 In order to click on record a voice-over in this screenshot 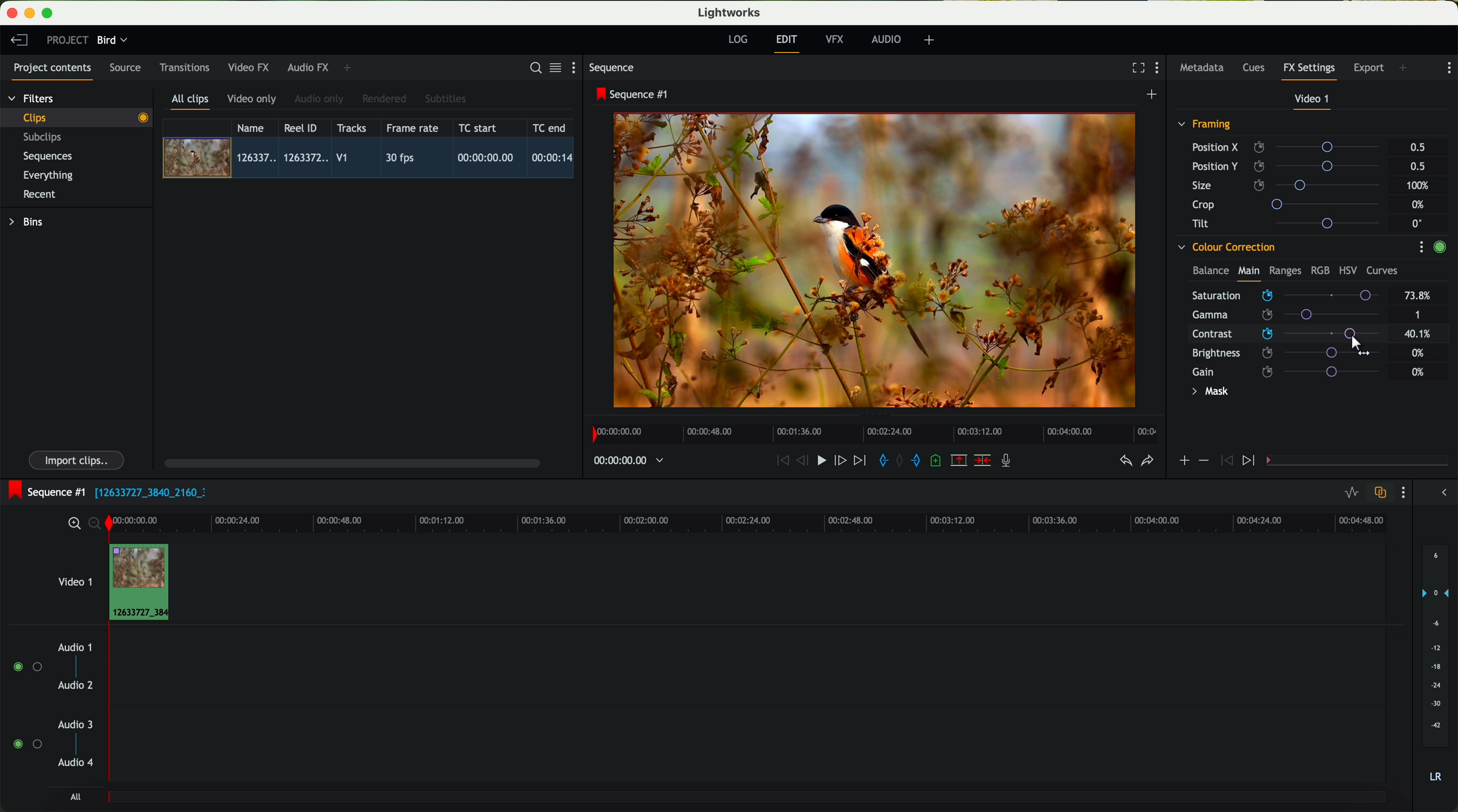, I will do `click(1010, 462)`.